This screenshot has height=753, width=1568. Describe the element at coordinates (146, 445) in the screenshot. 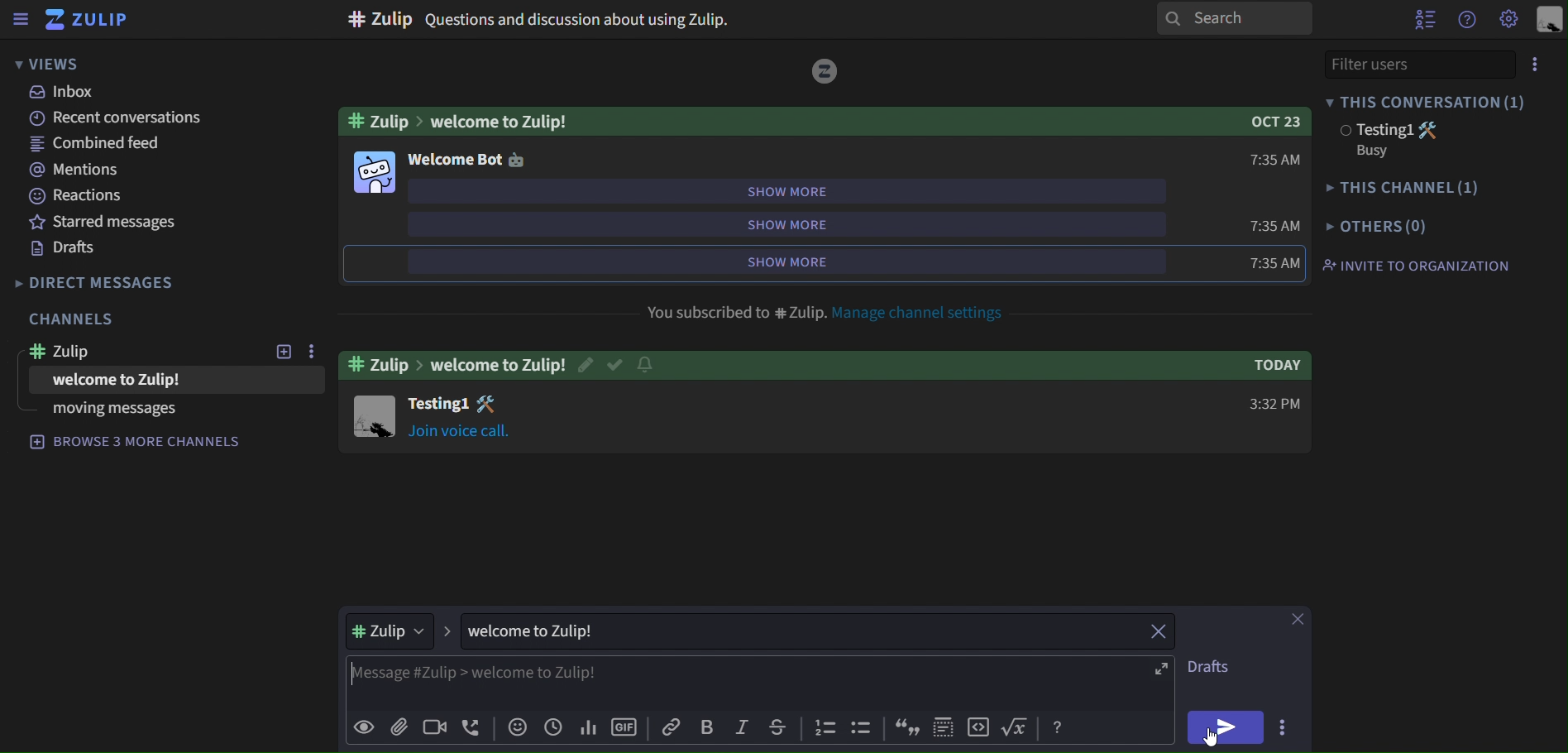

I see `browse 3 more channels` at that location.